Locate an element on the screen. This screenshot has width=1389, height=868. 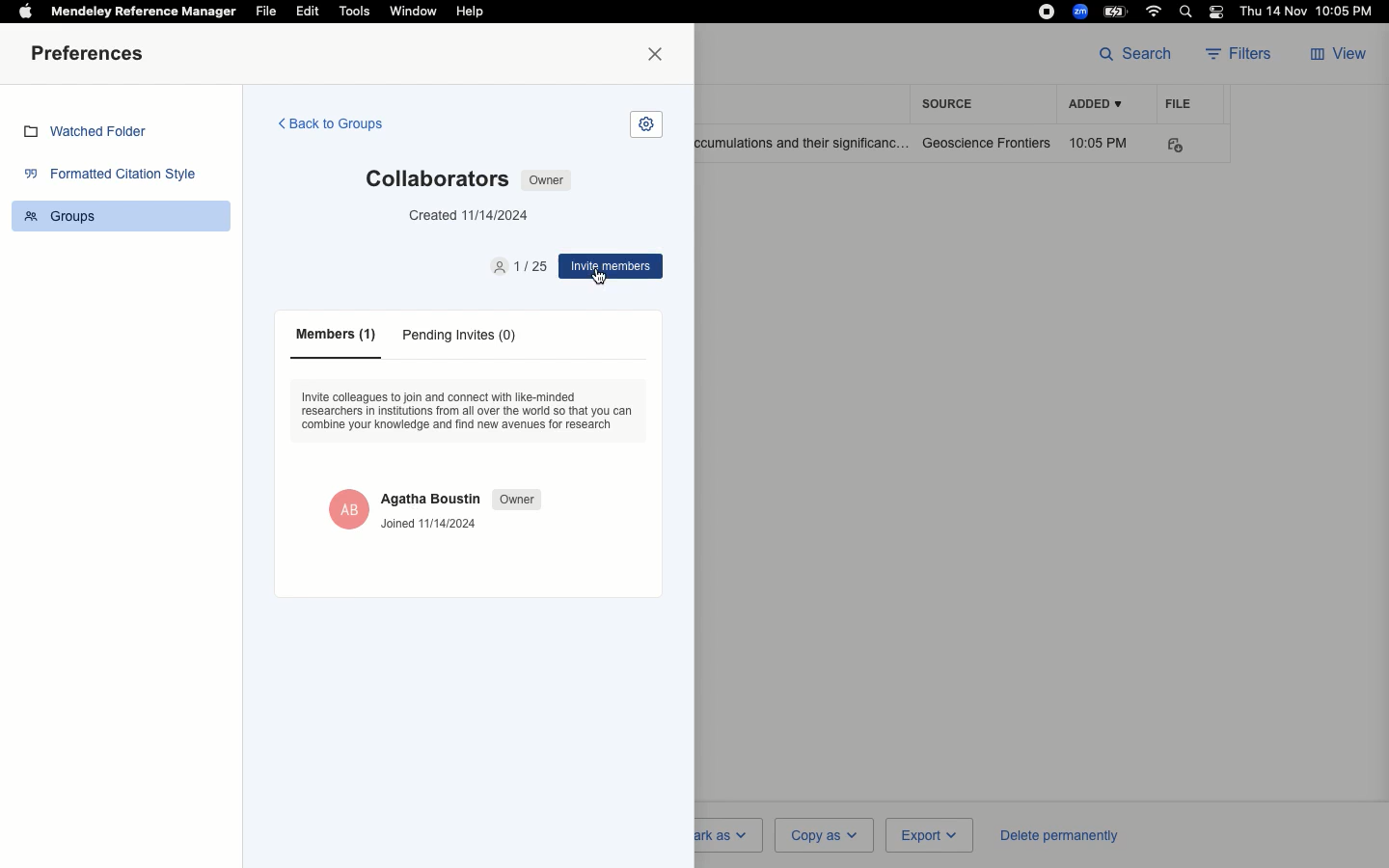
File is located at coordinates (266, 12).